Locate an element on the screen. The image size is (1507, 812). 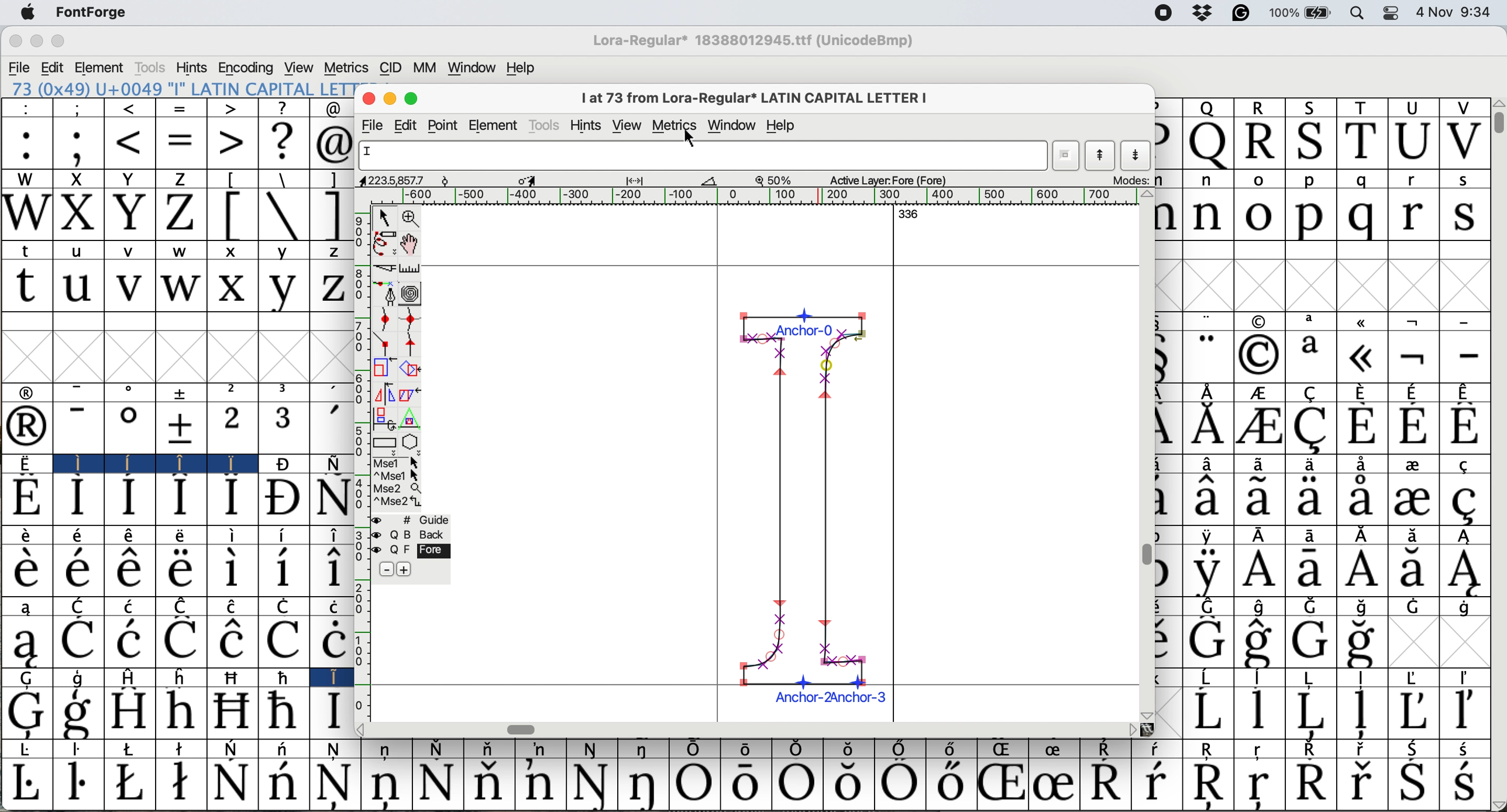
stars and polygons is located at coordinates (412, 442).